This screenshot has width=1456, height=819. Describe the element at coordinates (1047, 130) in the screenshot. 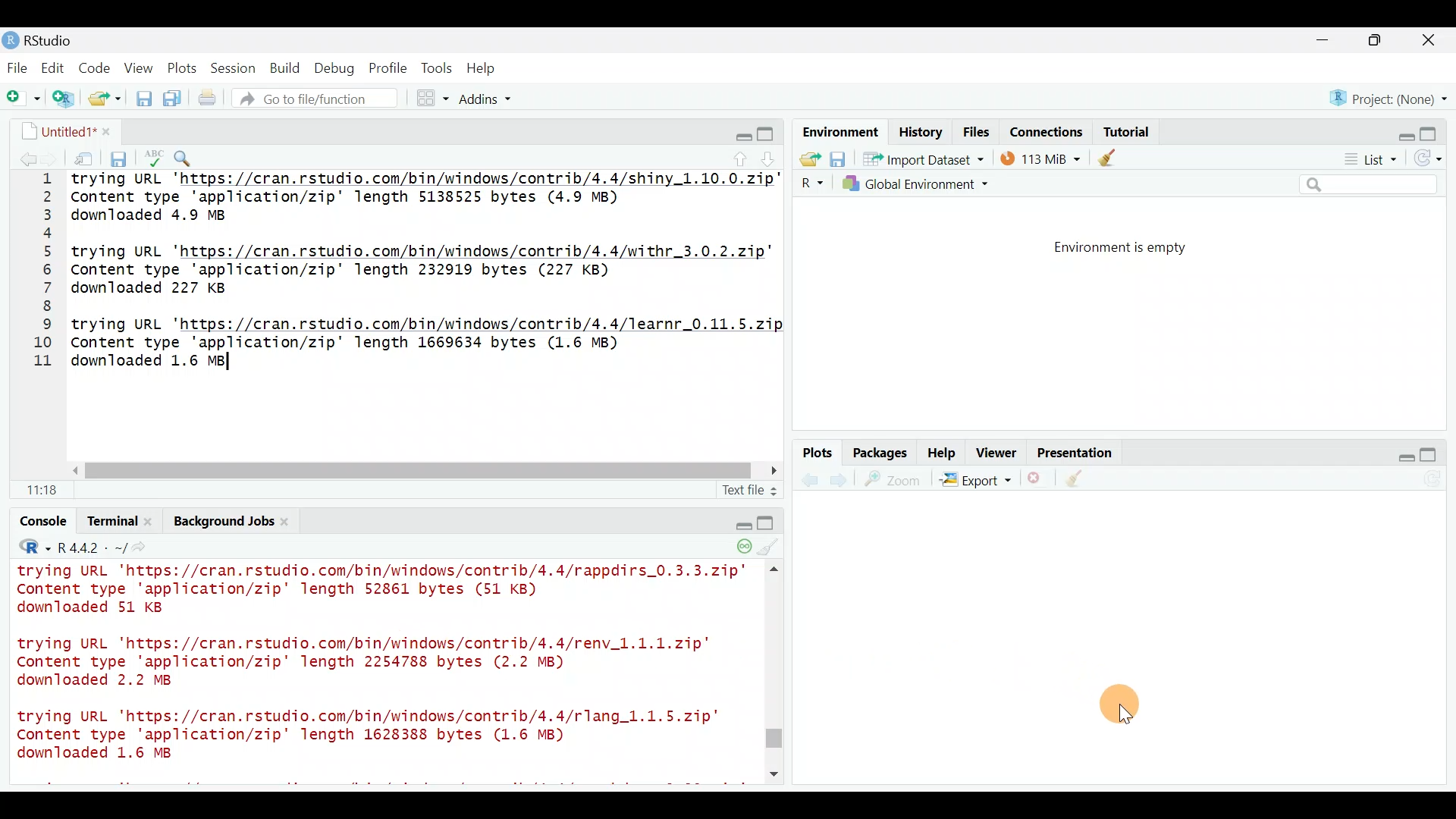

I see `Connections` at that location.